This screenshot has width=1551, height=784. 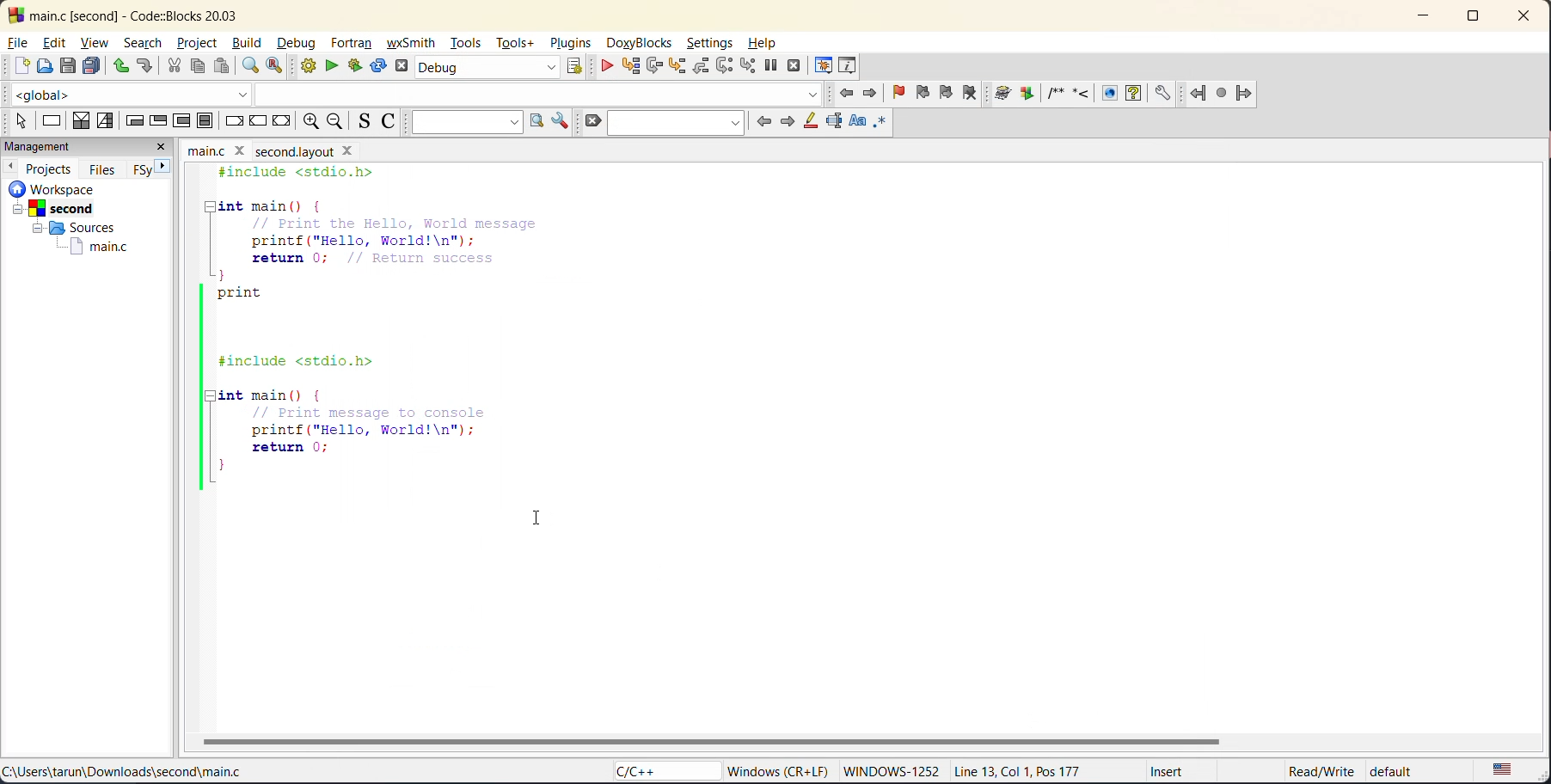 I want to click on run, so click(x=335, y=69).